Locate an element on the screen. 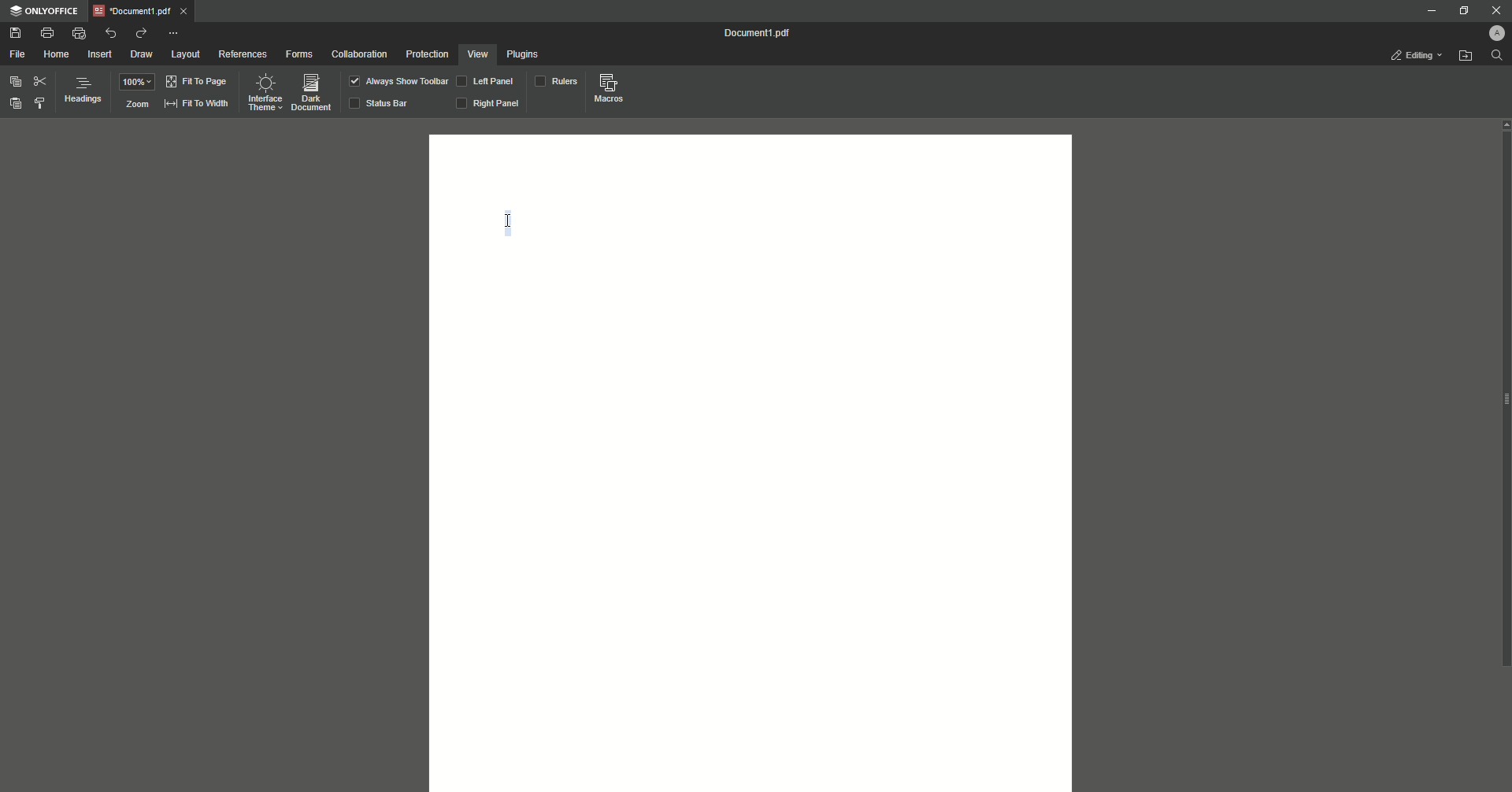  Macros is located at coordinates (606, 87).